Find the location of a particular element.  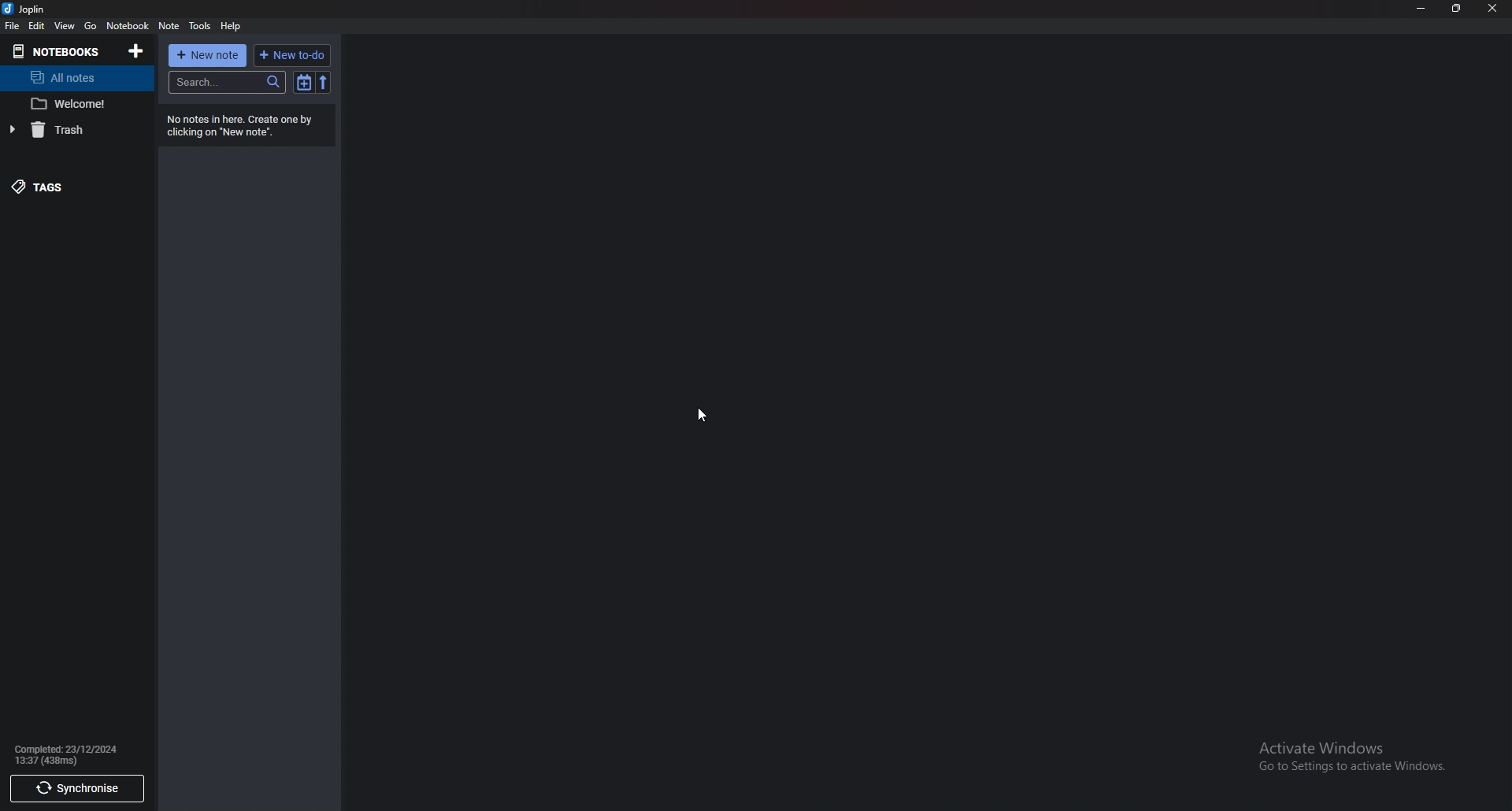

Add notebooks is located at coordinates (135, 51).